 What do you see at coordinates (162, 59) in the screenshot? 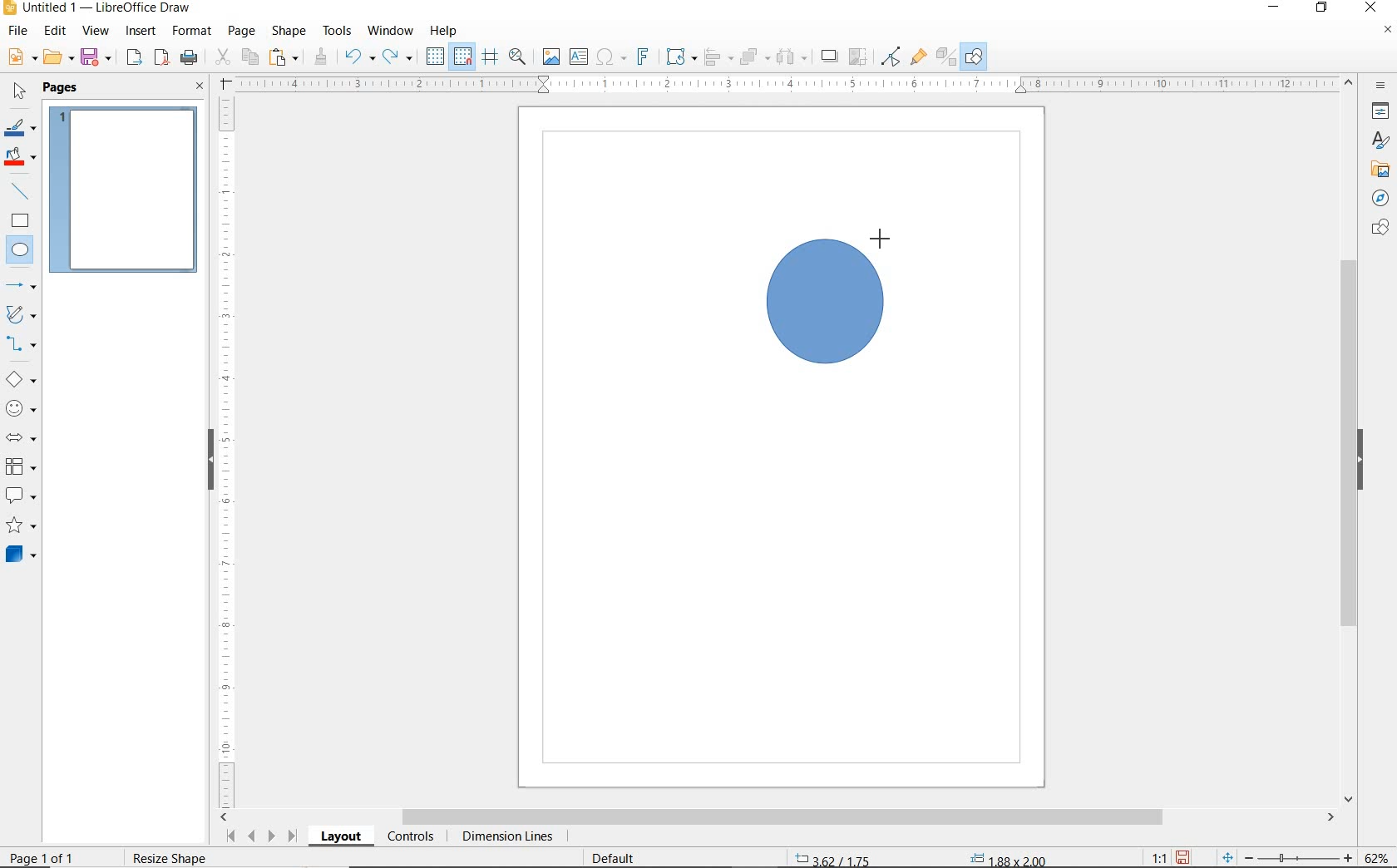
I see `EXPORT AS PDF` at bounding box center [162, 59].